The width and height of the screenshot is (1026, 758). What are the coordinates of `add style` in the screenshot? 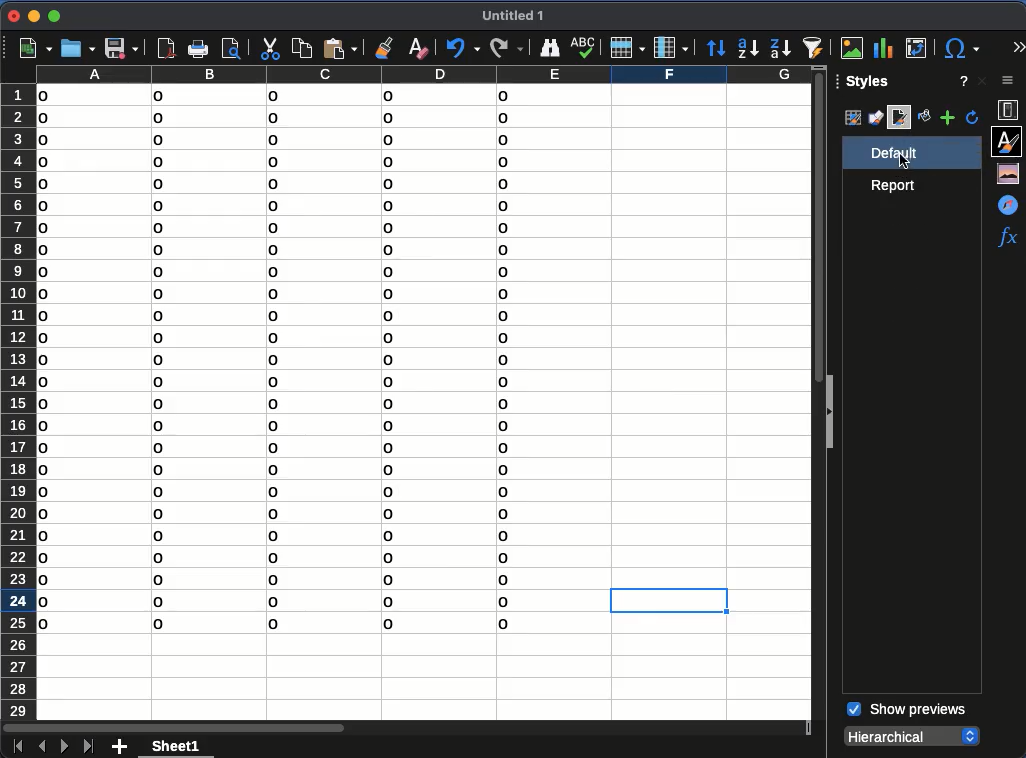 It's located at (948, 119).